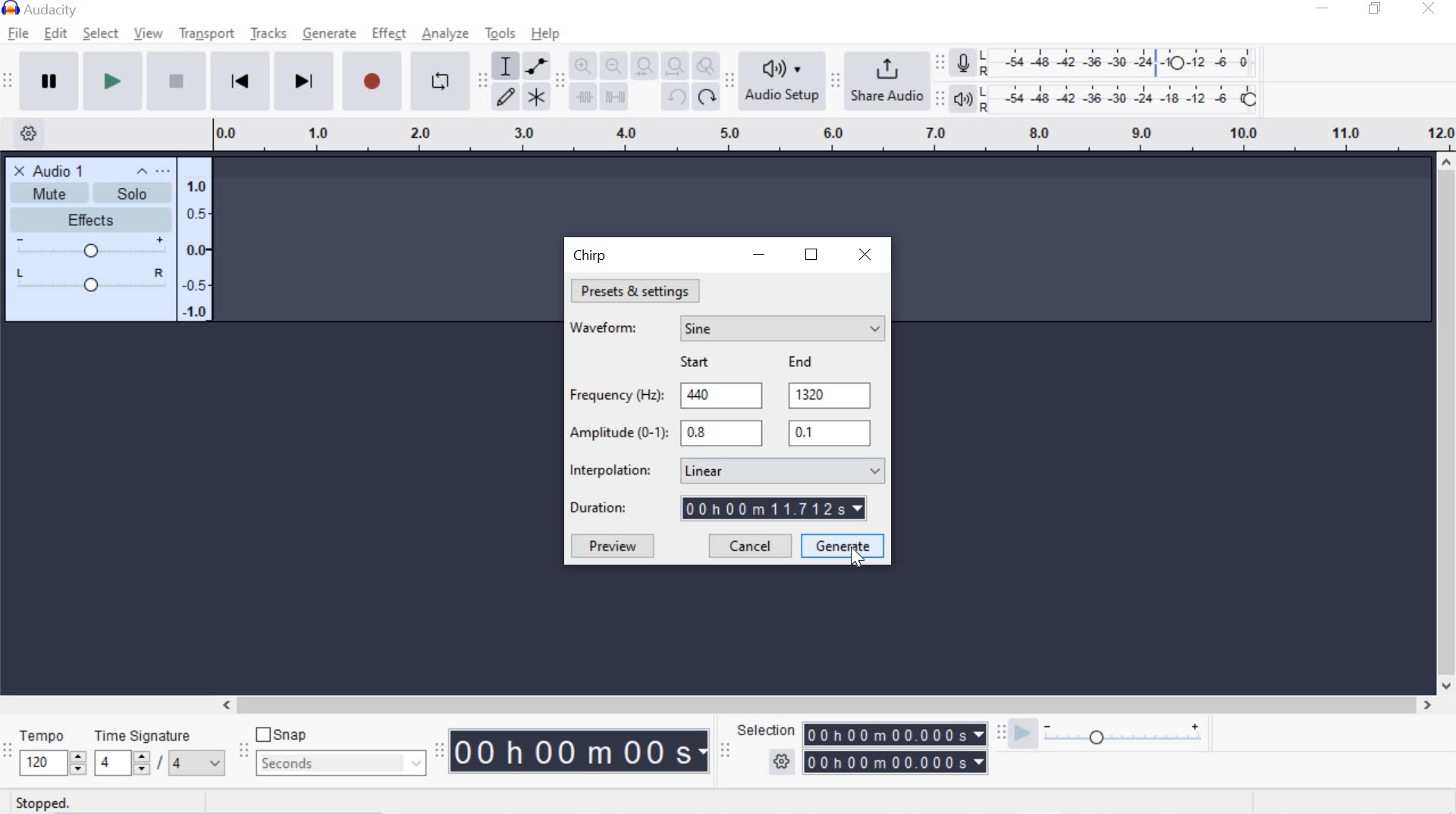  Describe the element at coordinates (1323, 7) in the screenshot. I see `minimize` at that location.